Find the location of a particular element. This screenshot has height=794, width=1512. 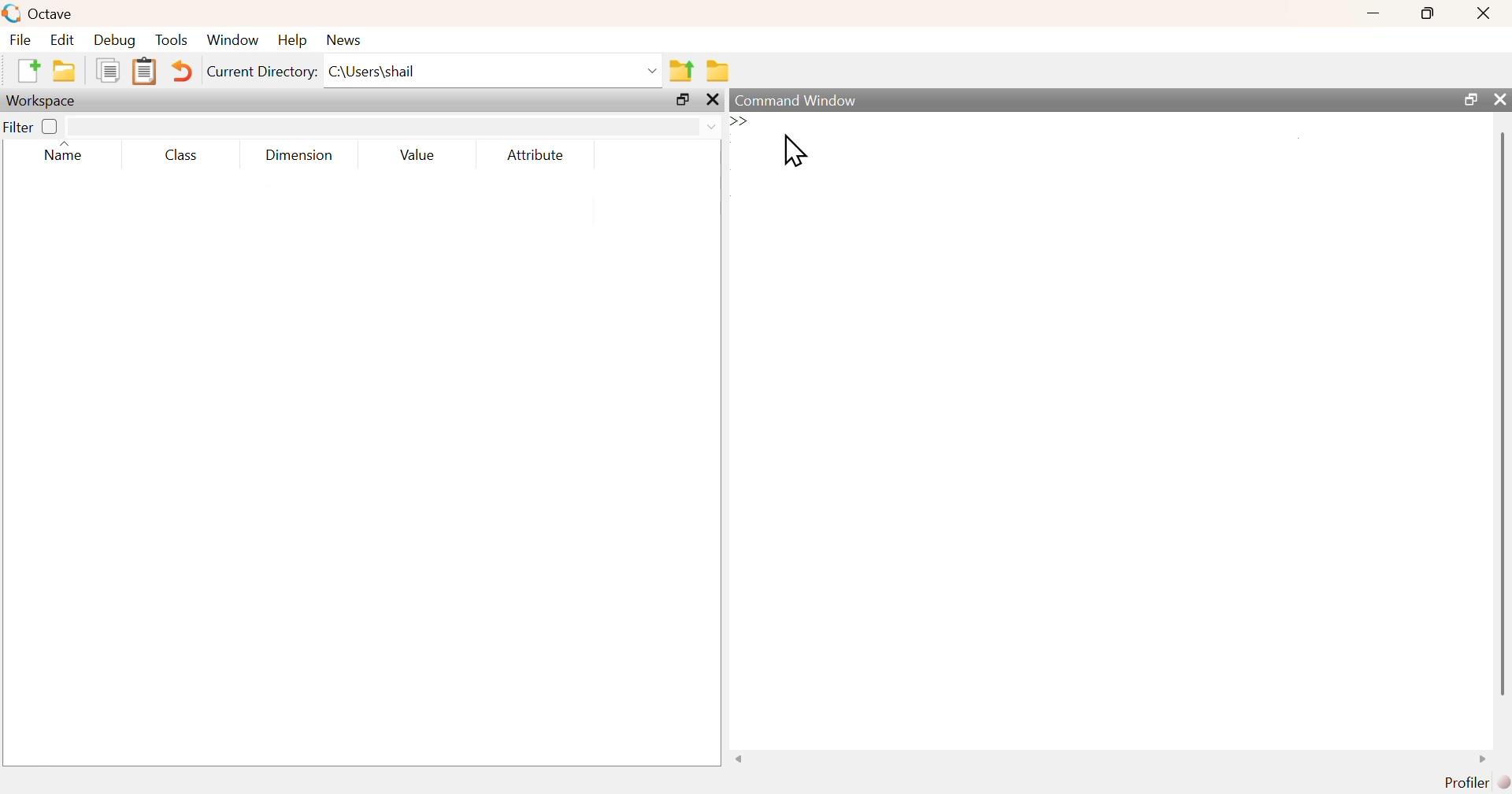

dropdown is located at coordinates (650, 70).